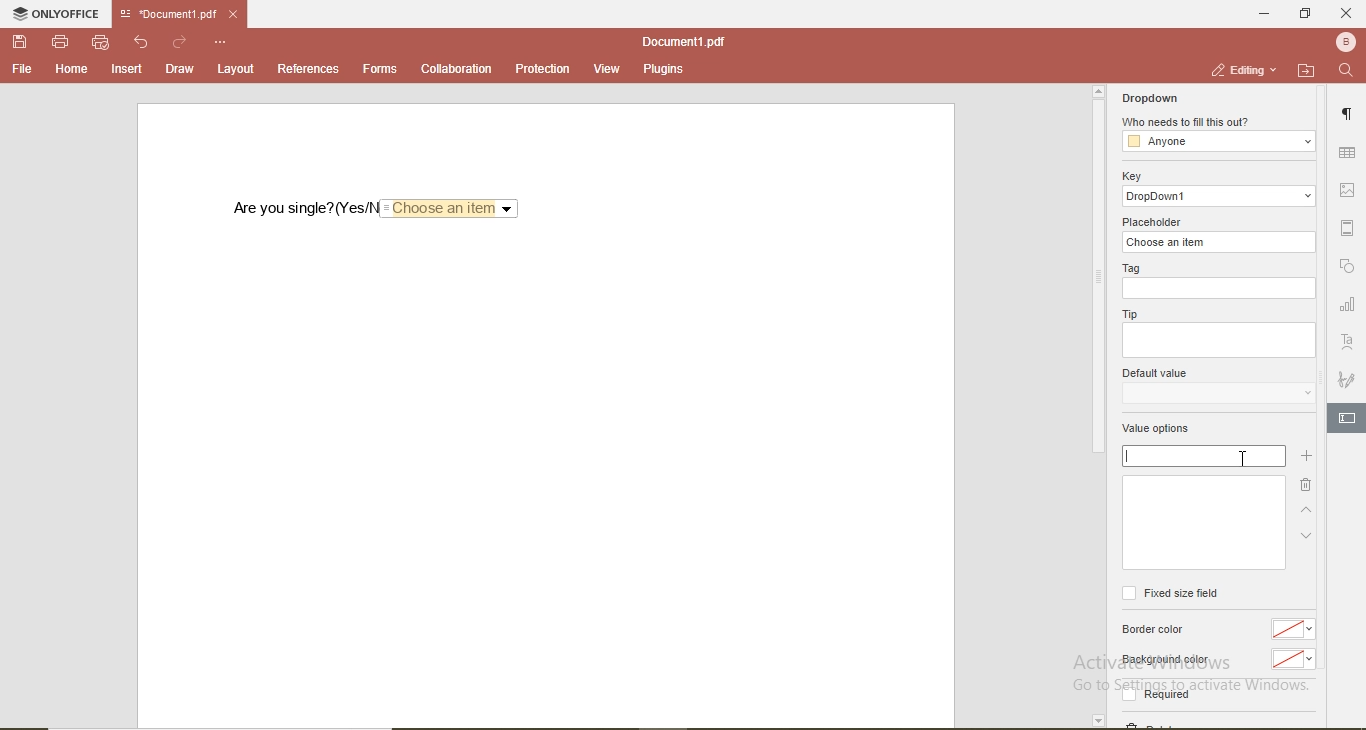 This screenshot has height=730, width=1366. I want to click on text cursor, so click(1127, 456).